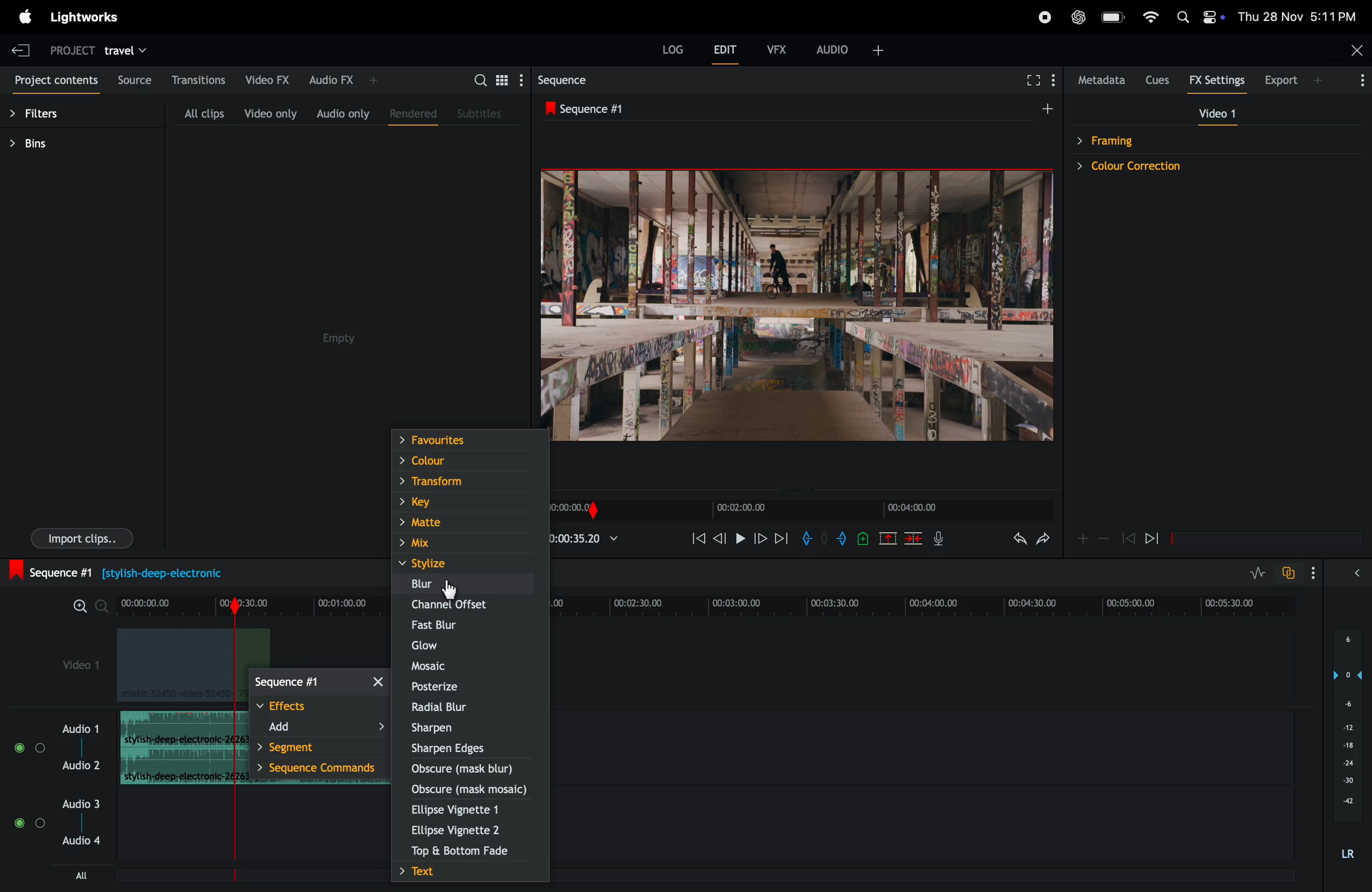 The height and width of the screenshot is (892, 1372). I want to click on Mouse Cursor, so click(447, 588).